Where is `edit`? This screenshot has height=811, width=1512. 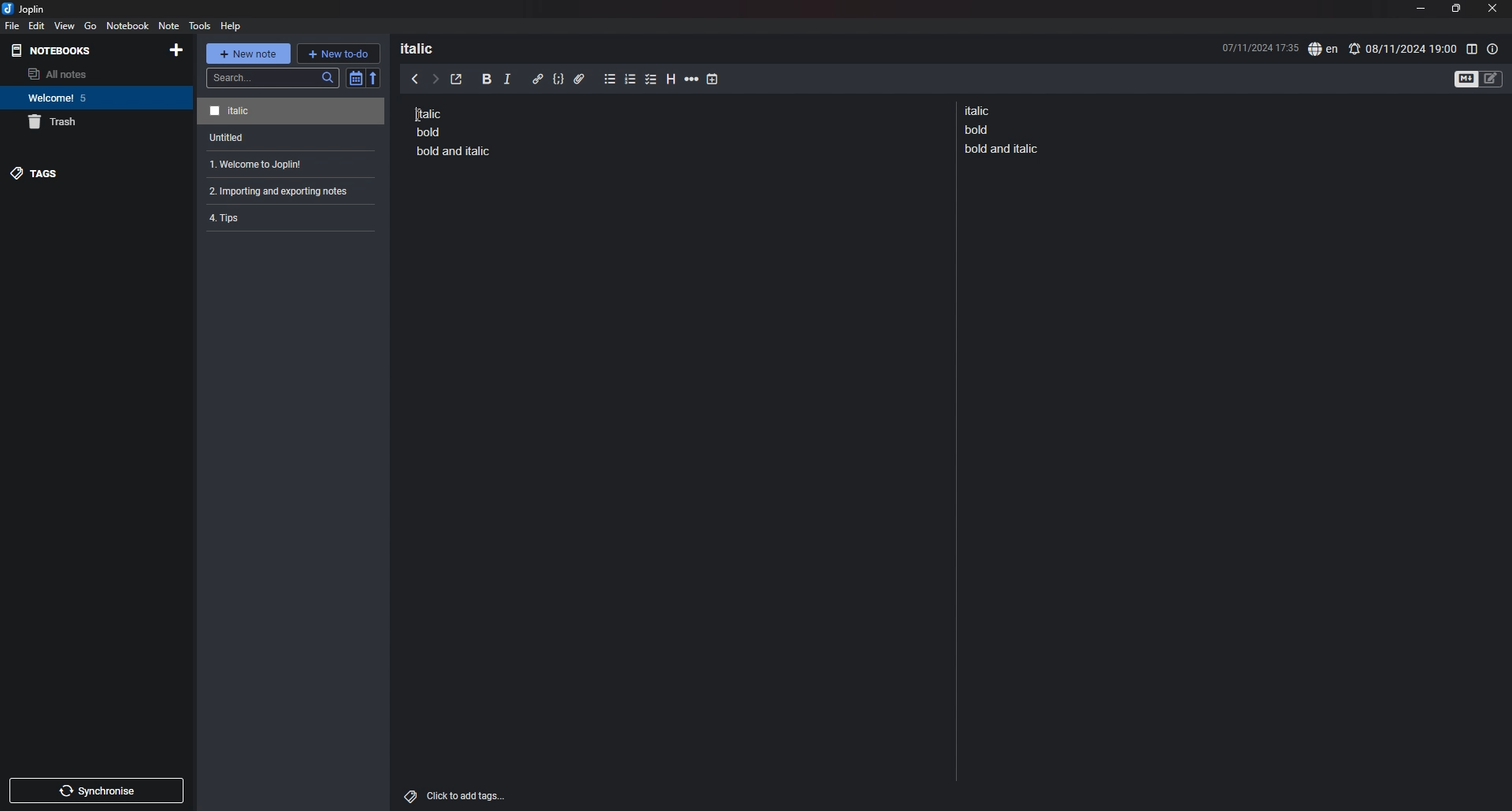 edit is located at coordinates (37, 25).